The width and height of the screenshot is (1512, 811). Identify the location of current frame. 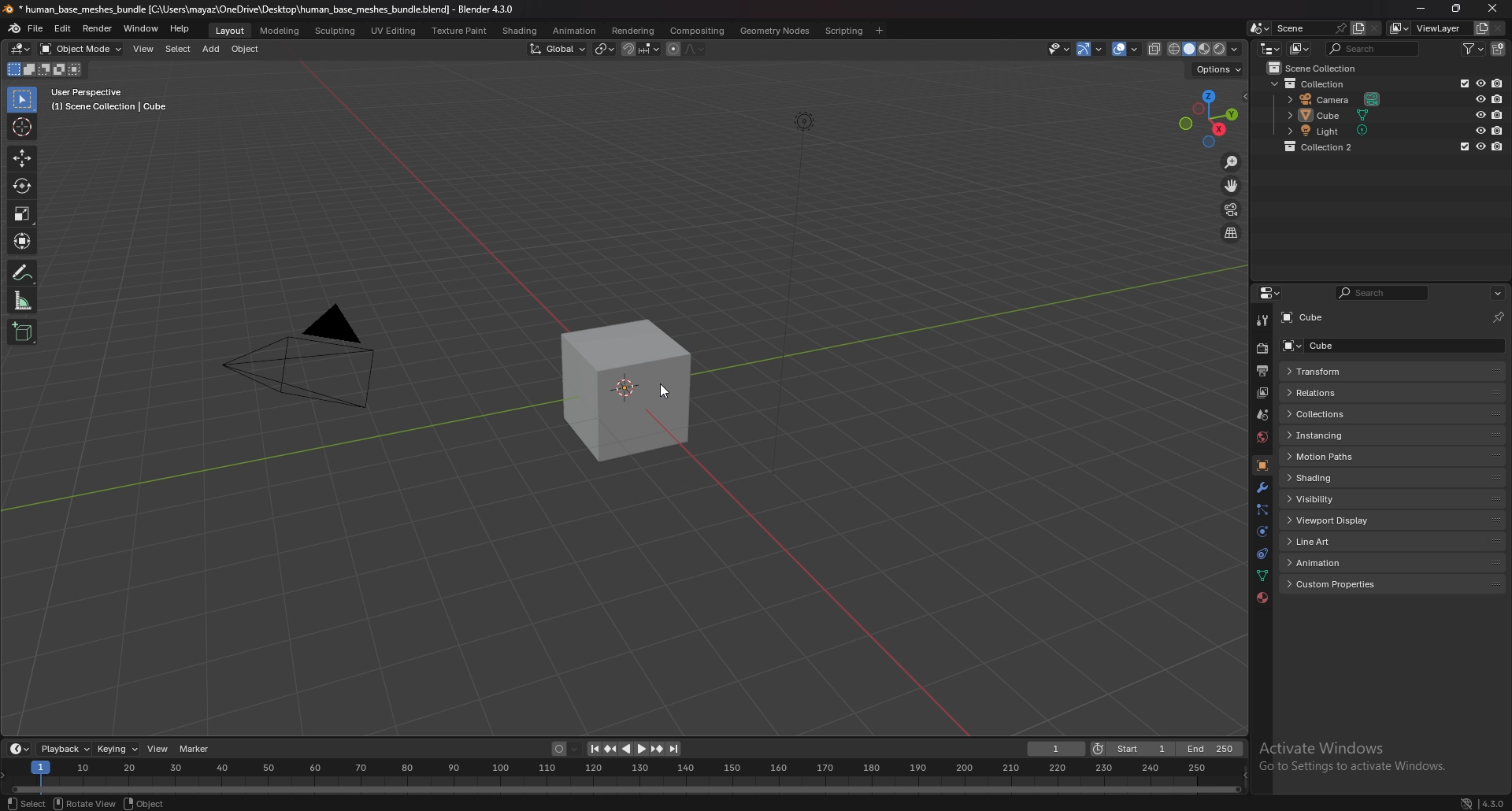
(1055, 750).